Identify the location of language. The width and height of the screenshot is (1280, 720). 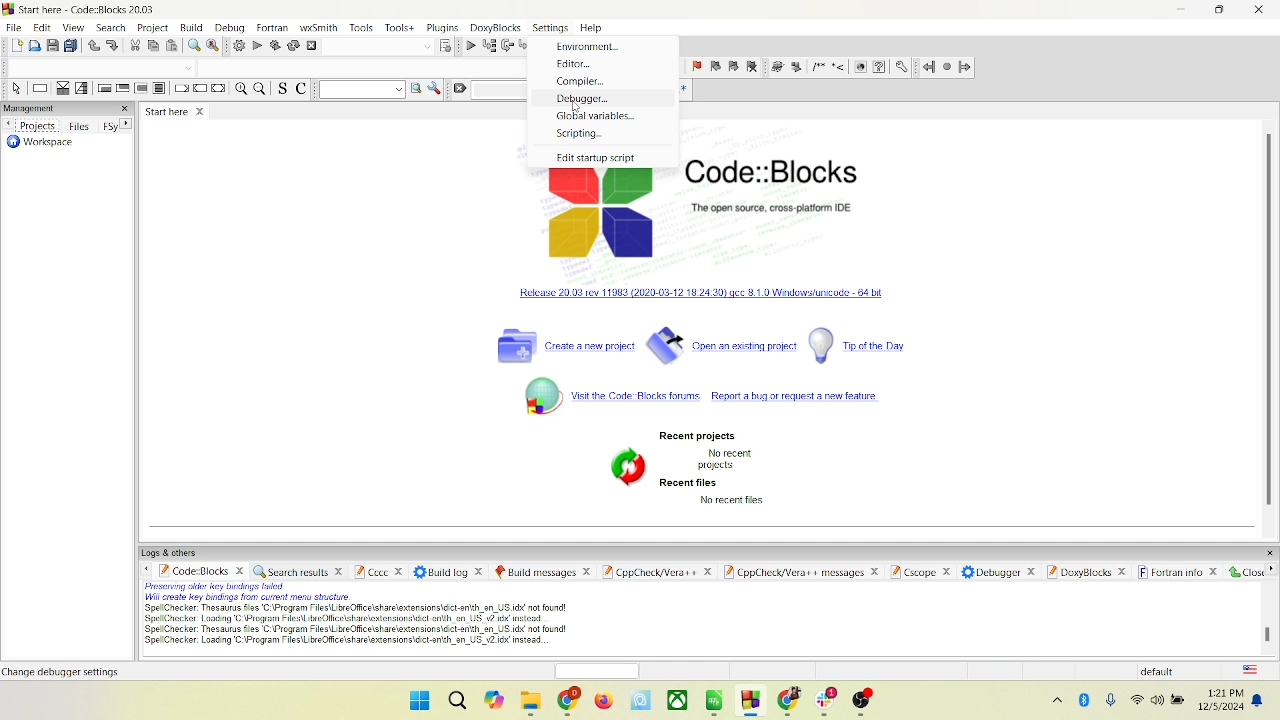
(1248, 669).